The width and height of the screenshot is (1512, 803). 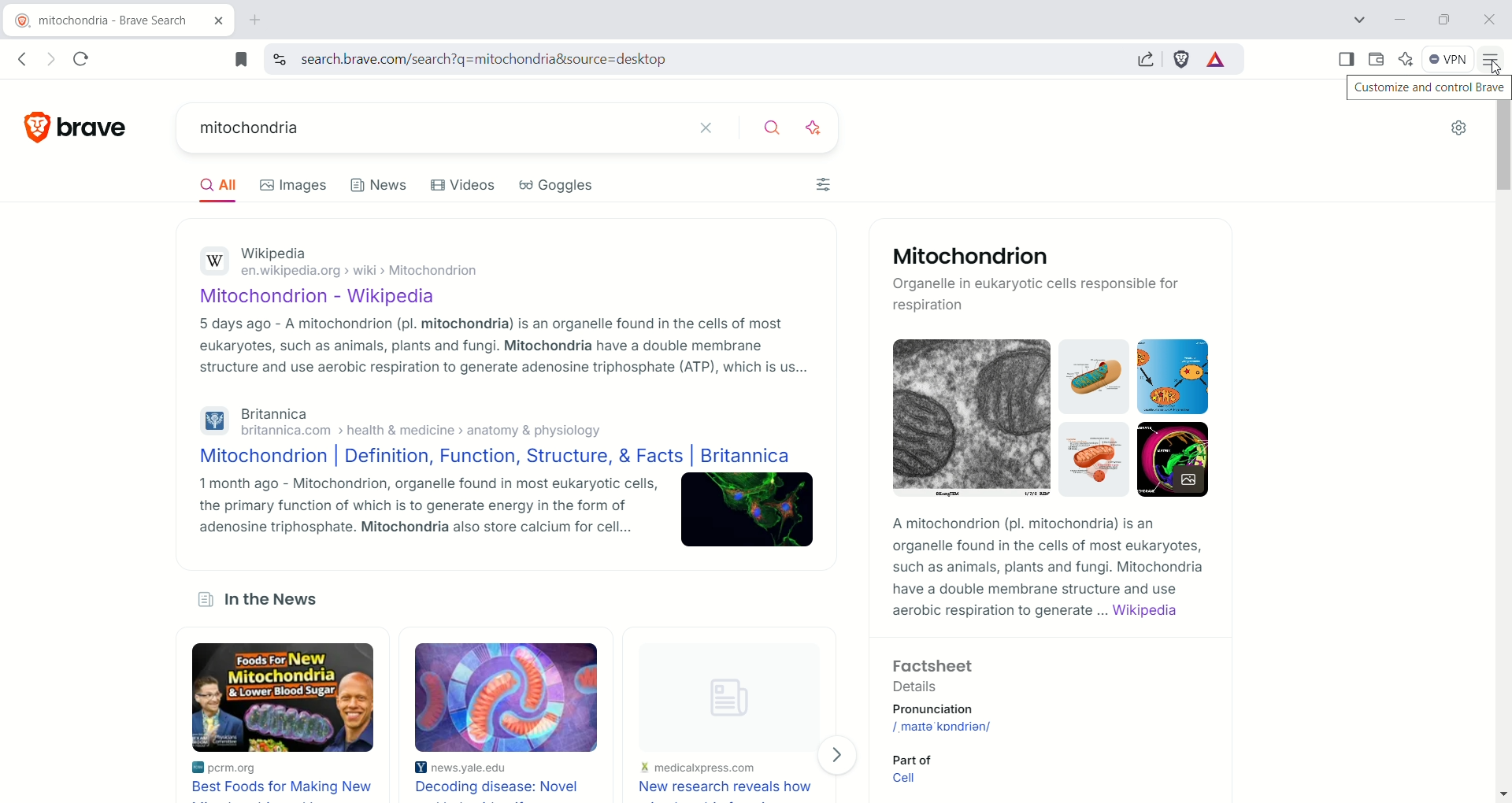 I want to click on best foods for making new, so click(x=280, y=718).